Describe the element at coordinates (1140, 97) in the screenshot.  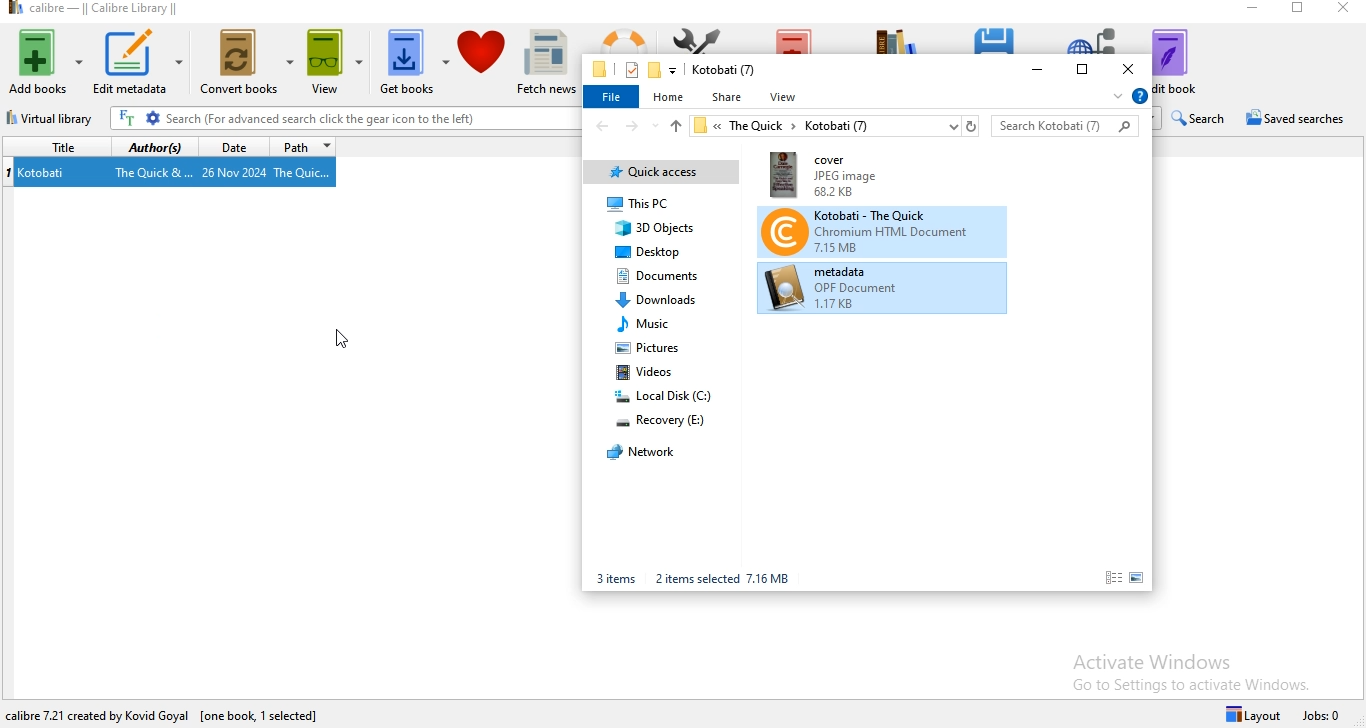
I see `help` at that location.